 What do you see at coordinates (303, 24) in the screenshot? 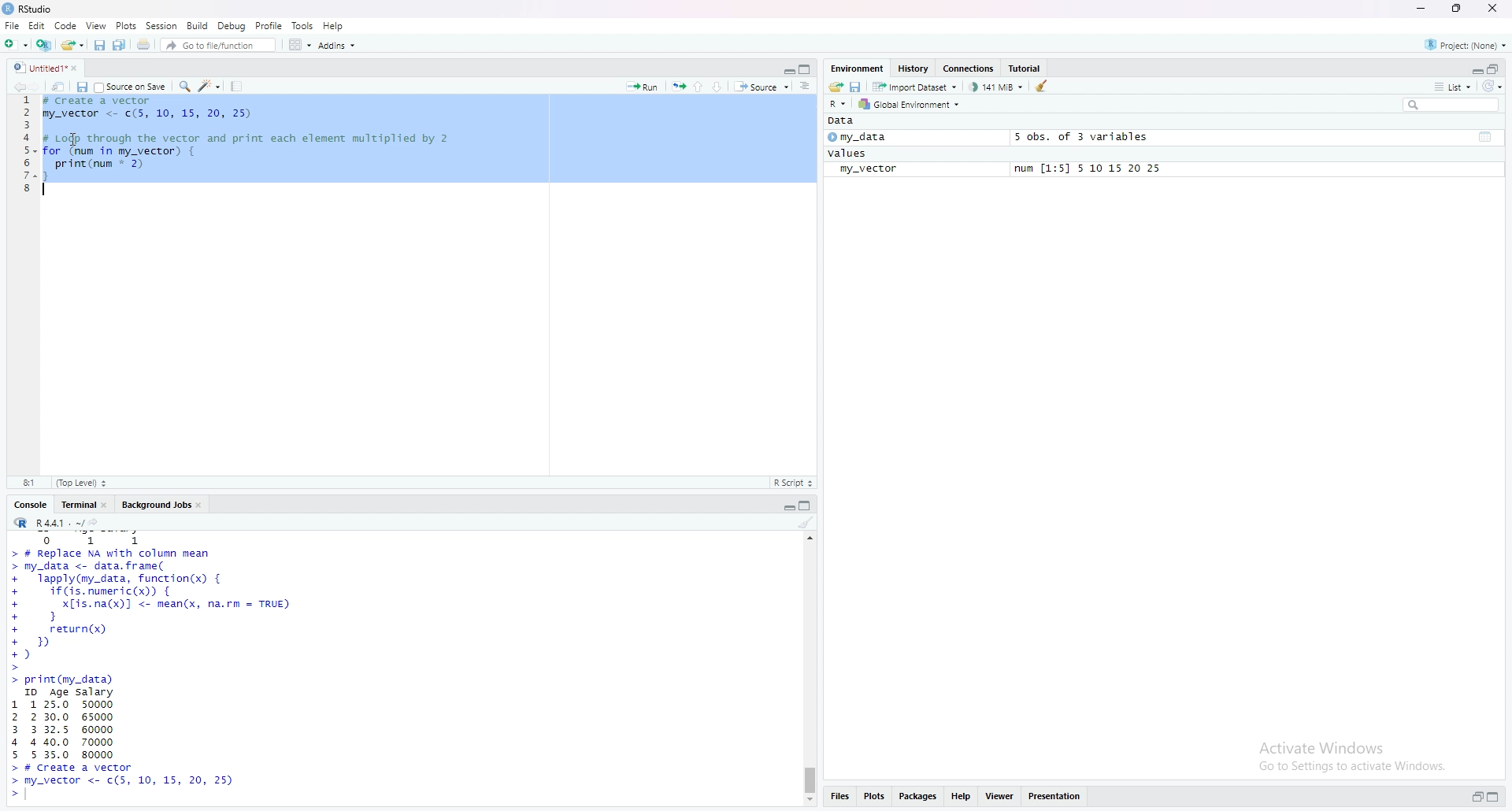
I see `tools` at bounding box center [303, 24].